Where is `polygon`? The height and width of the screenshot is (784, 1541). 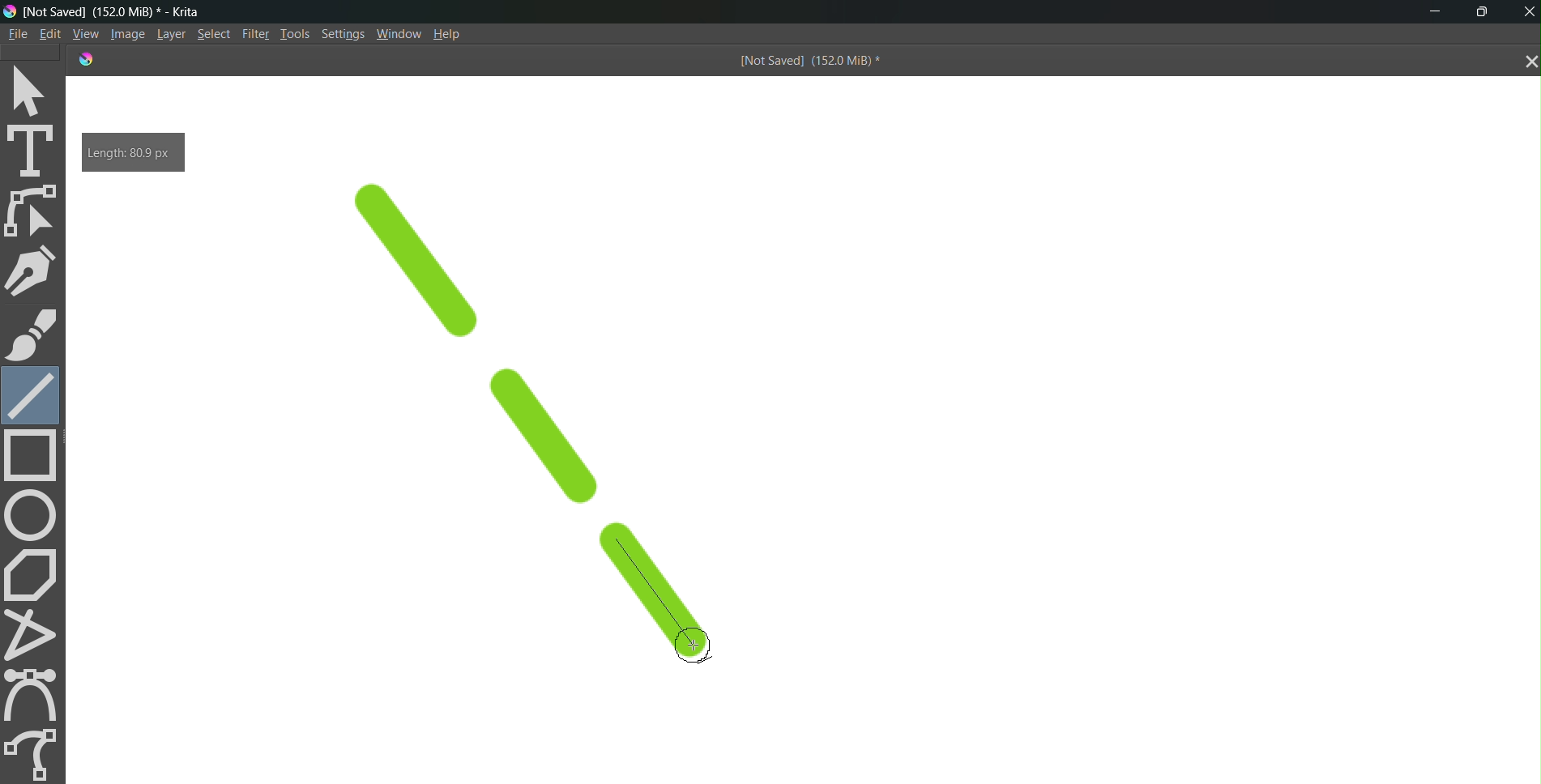
polygon is located at coordinates (34, 573).